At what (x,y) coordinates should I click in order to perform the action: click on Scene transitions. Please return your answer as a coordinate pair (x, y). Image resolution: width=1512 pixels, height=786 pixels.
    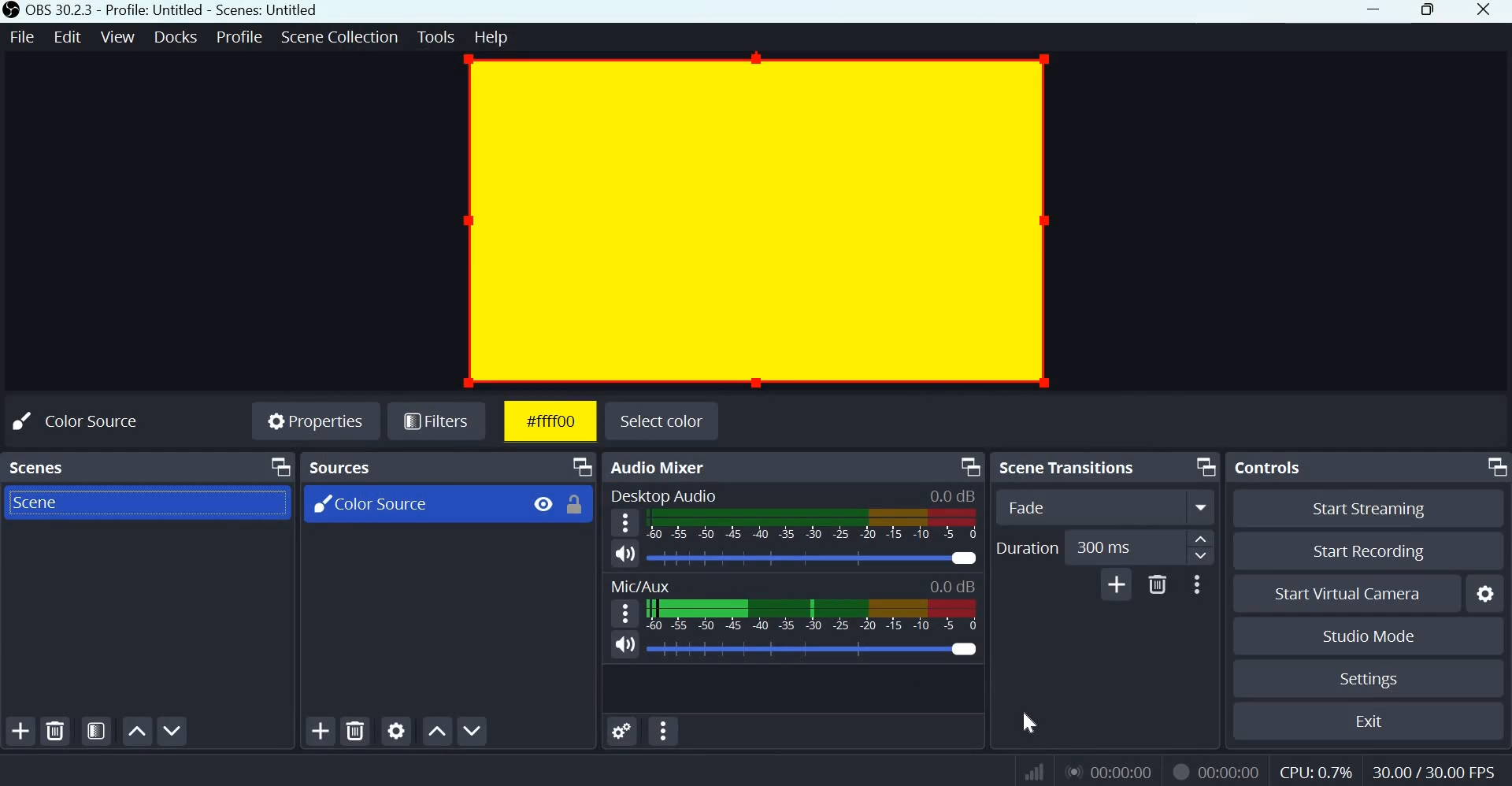
    Looking at the image, I should click on (1072, 466).